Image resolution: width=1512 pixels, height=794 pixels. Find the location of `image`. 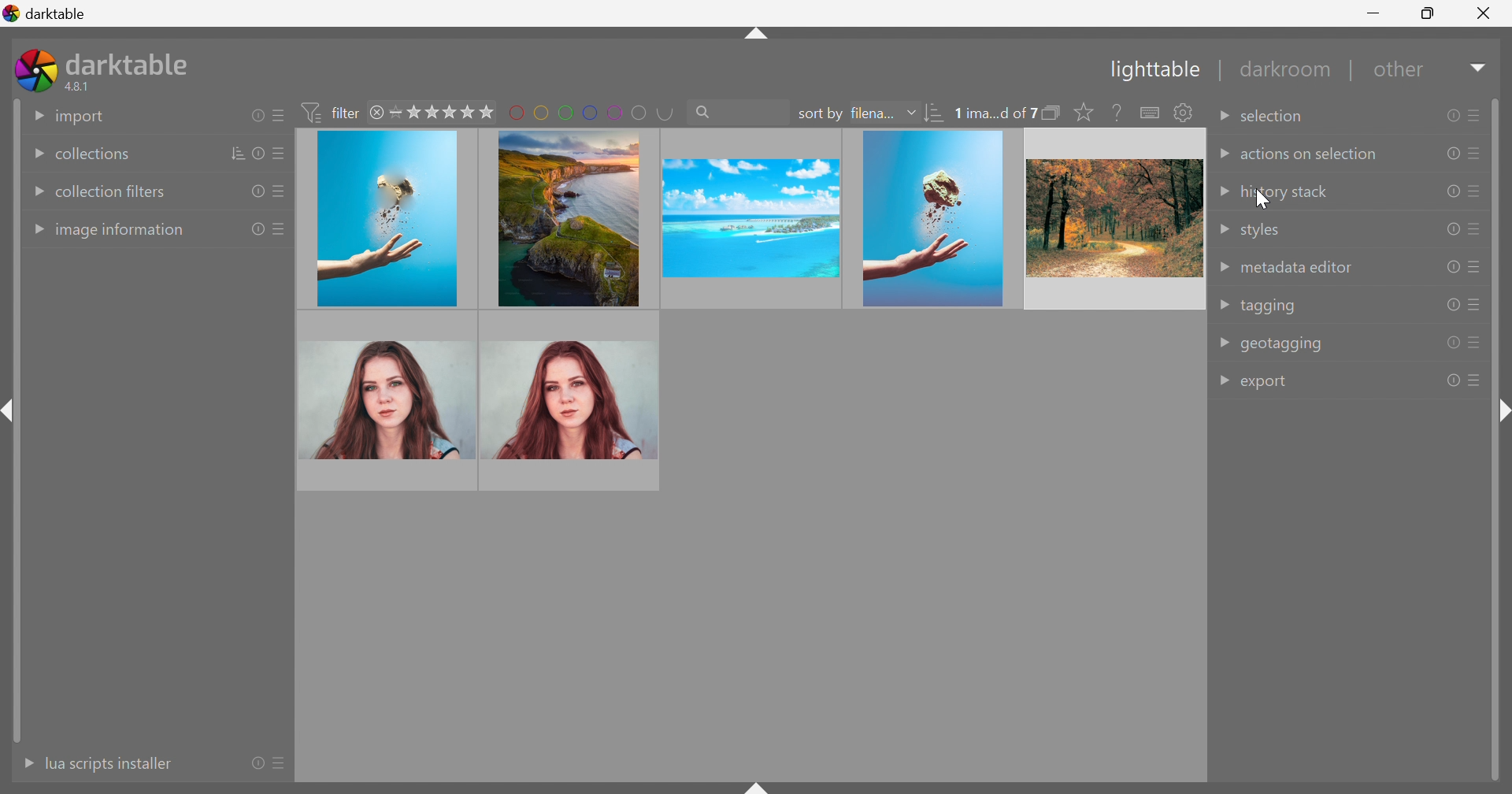

image is located at coordinates (748, 218).